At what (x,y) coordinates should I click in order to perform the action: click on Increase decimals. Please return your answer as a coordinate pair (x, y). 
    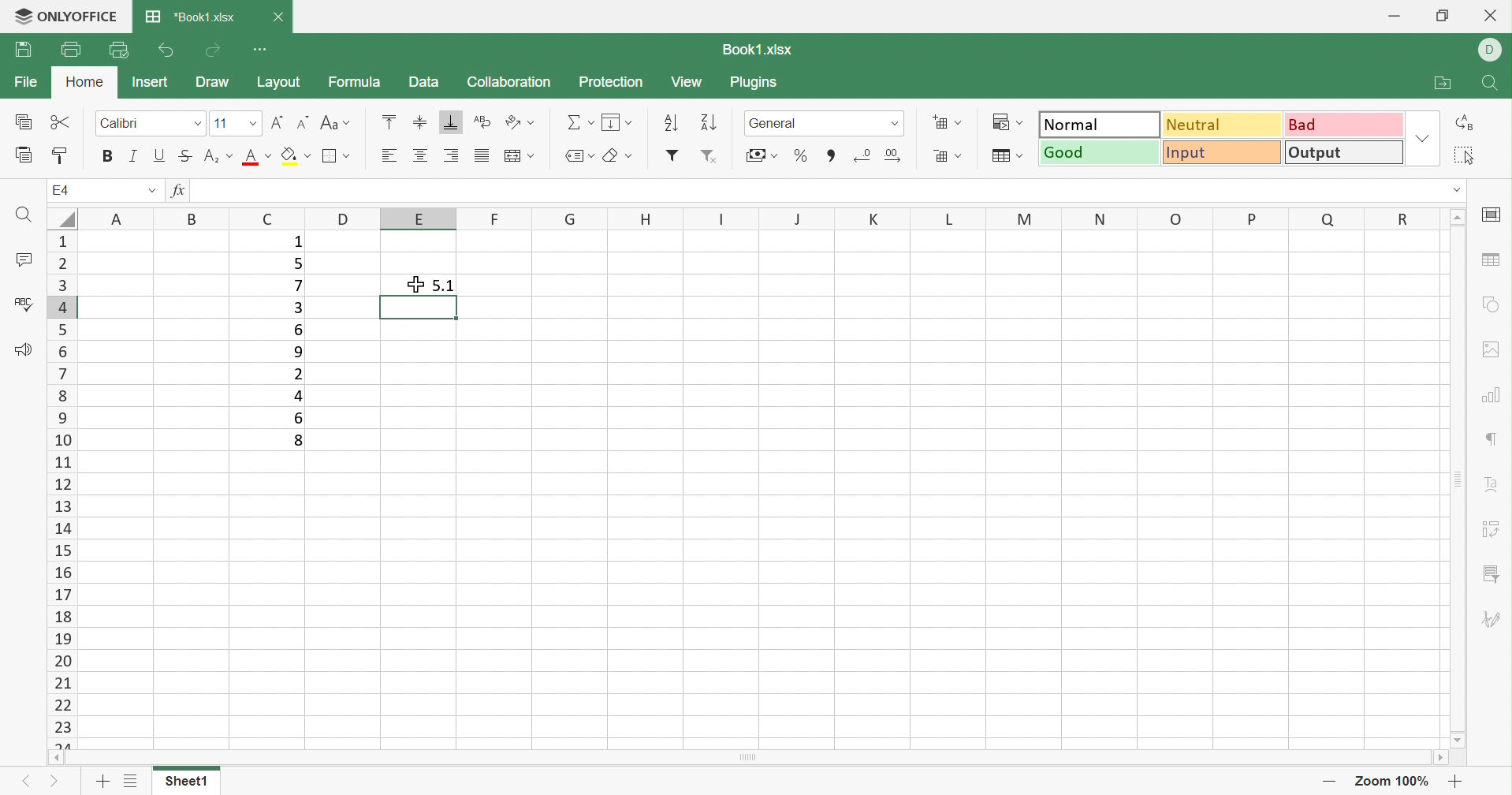
    Looking at the image, I should click on (903, 155).